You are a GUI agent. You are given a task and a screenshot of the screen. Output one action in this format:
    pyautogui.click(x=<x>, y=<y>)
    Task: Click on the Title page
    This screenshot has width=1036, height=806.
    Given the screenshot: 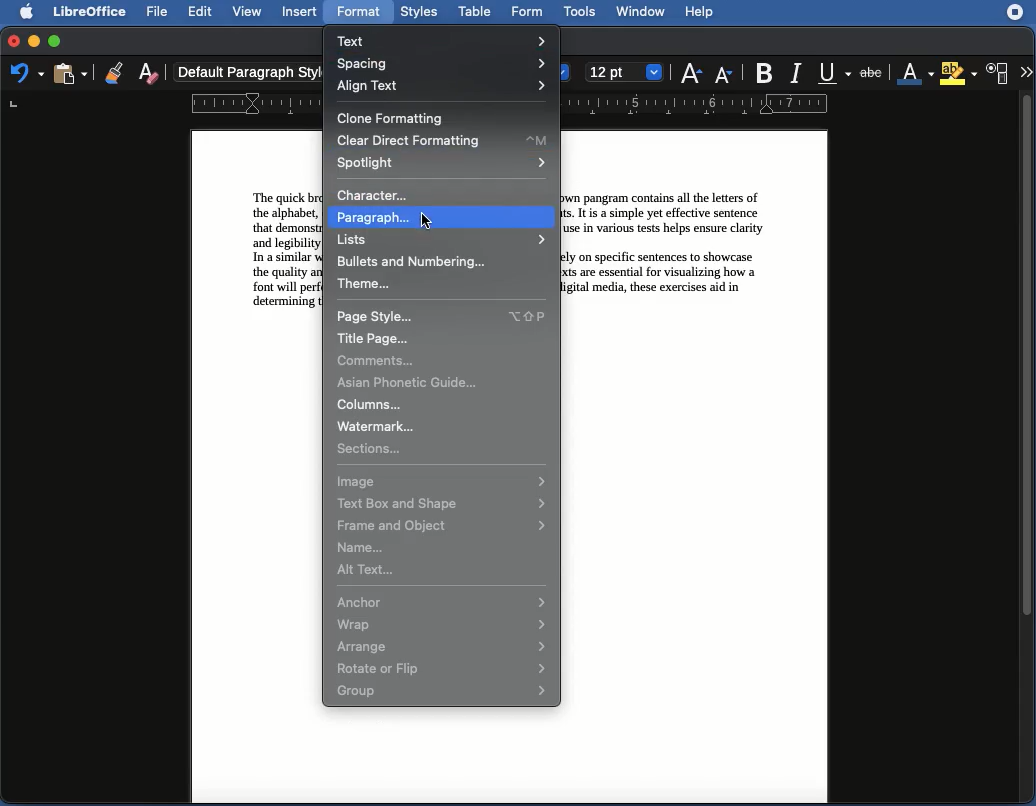 What is the action you would take?
    pyautogui.click(x=377, y=340)
    